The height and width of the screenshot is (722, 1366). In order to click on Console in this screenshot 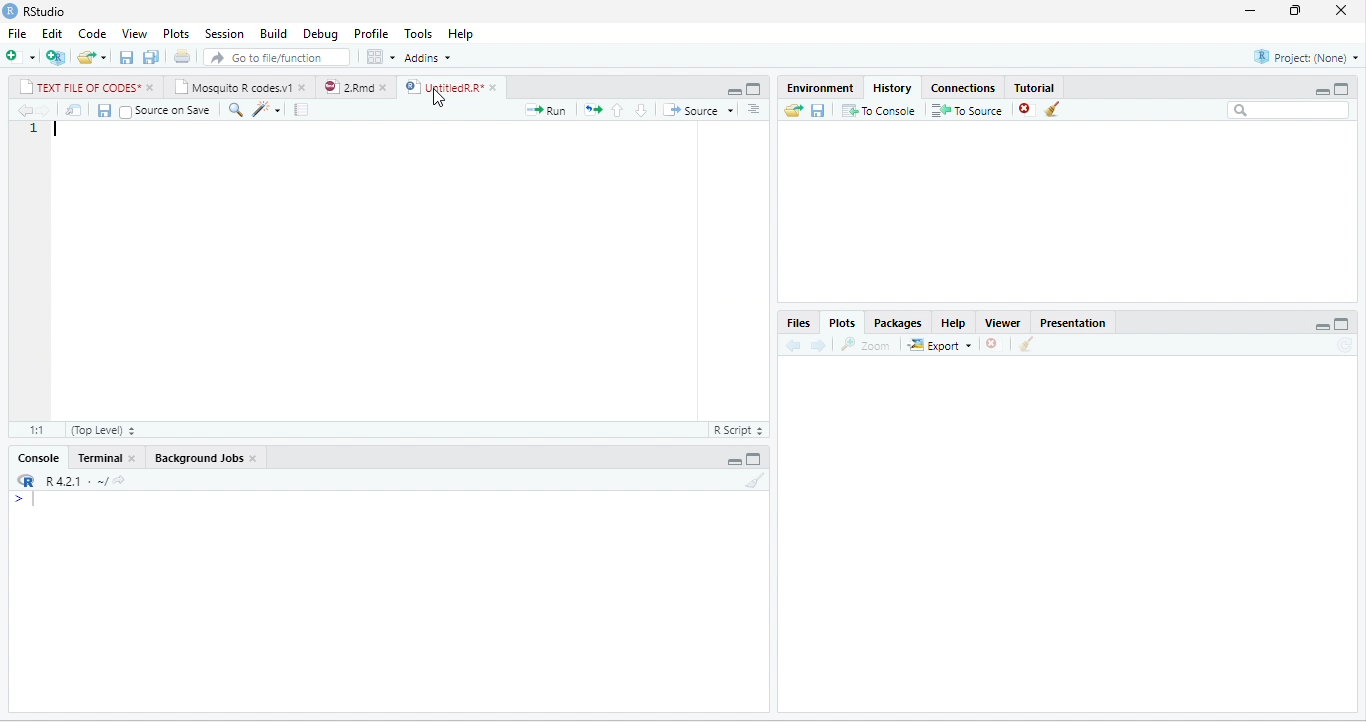, I will do `click(38, 457)`.